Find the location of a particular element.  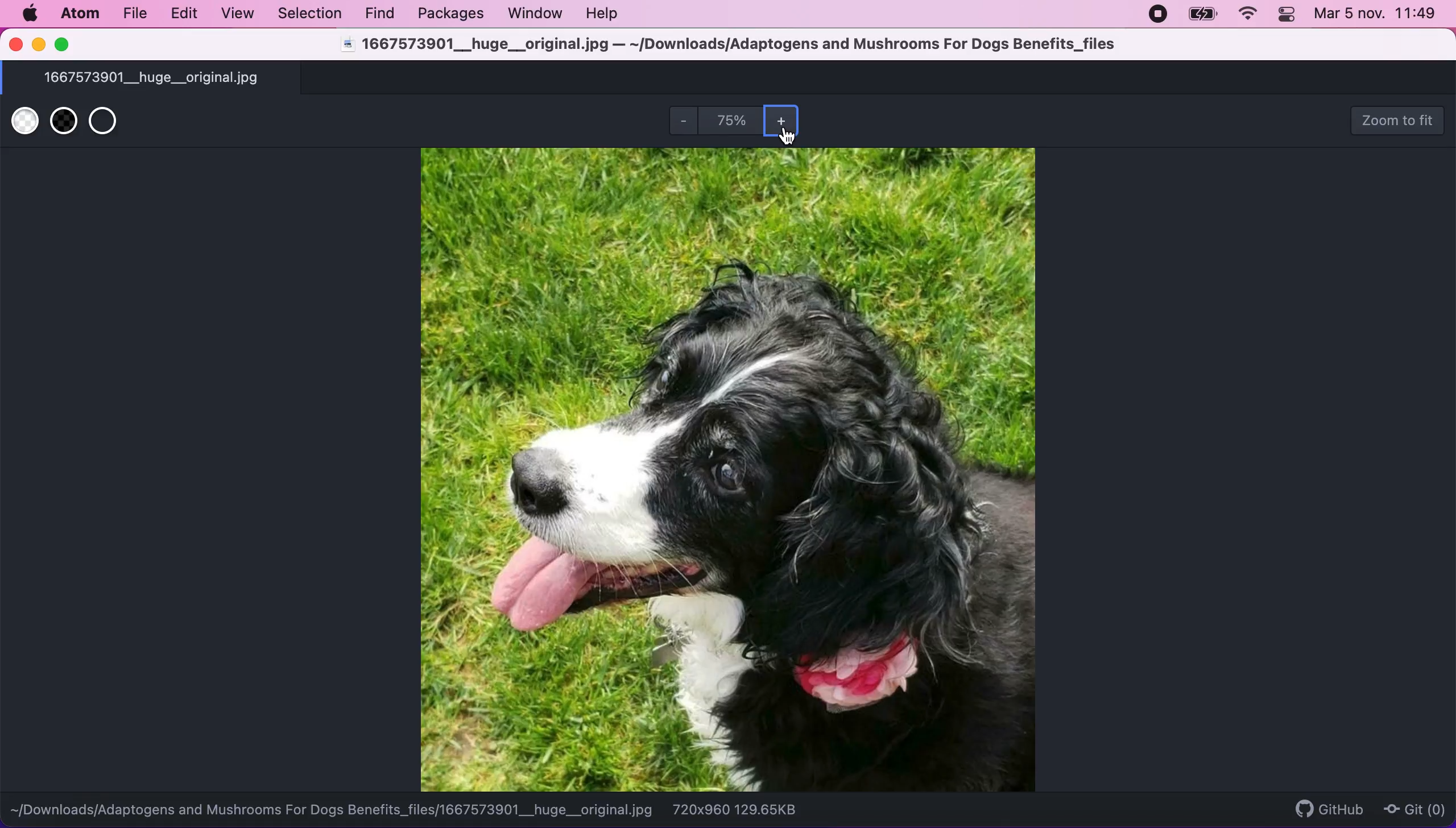

battery is located at coordinates (1205, 15).